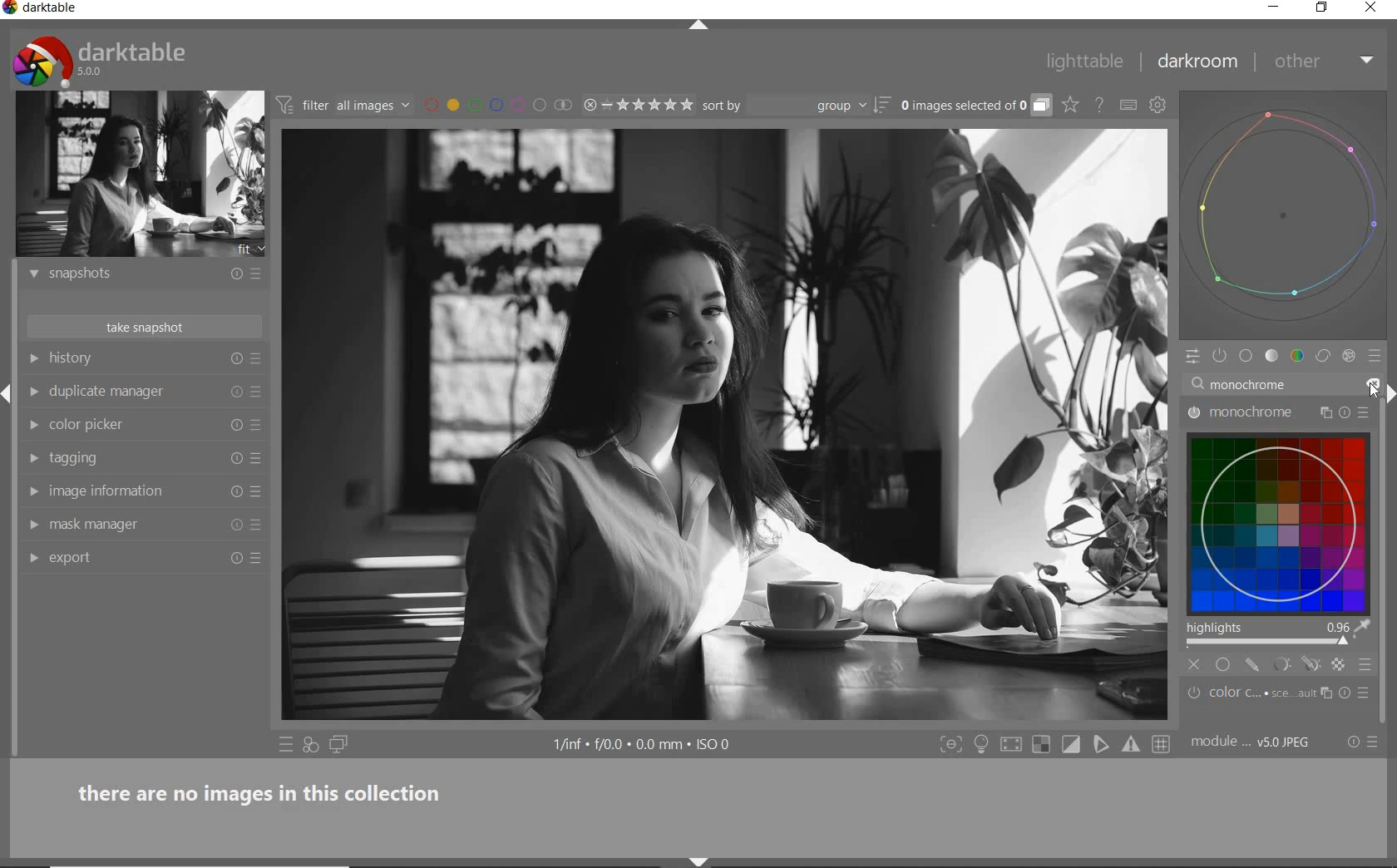 Image resolution: width=1397 pixels, height=868 pixels. Describe the element at coordinates (33, 560) in the screenshot. I see `show module` at that location.